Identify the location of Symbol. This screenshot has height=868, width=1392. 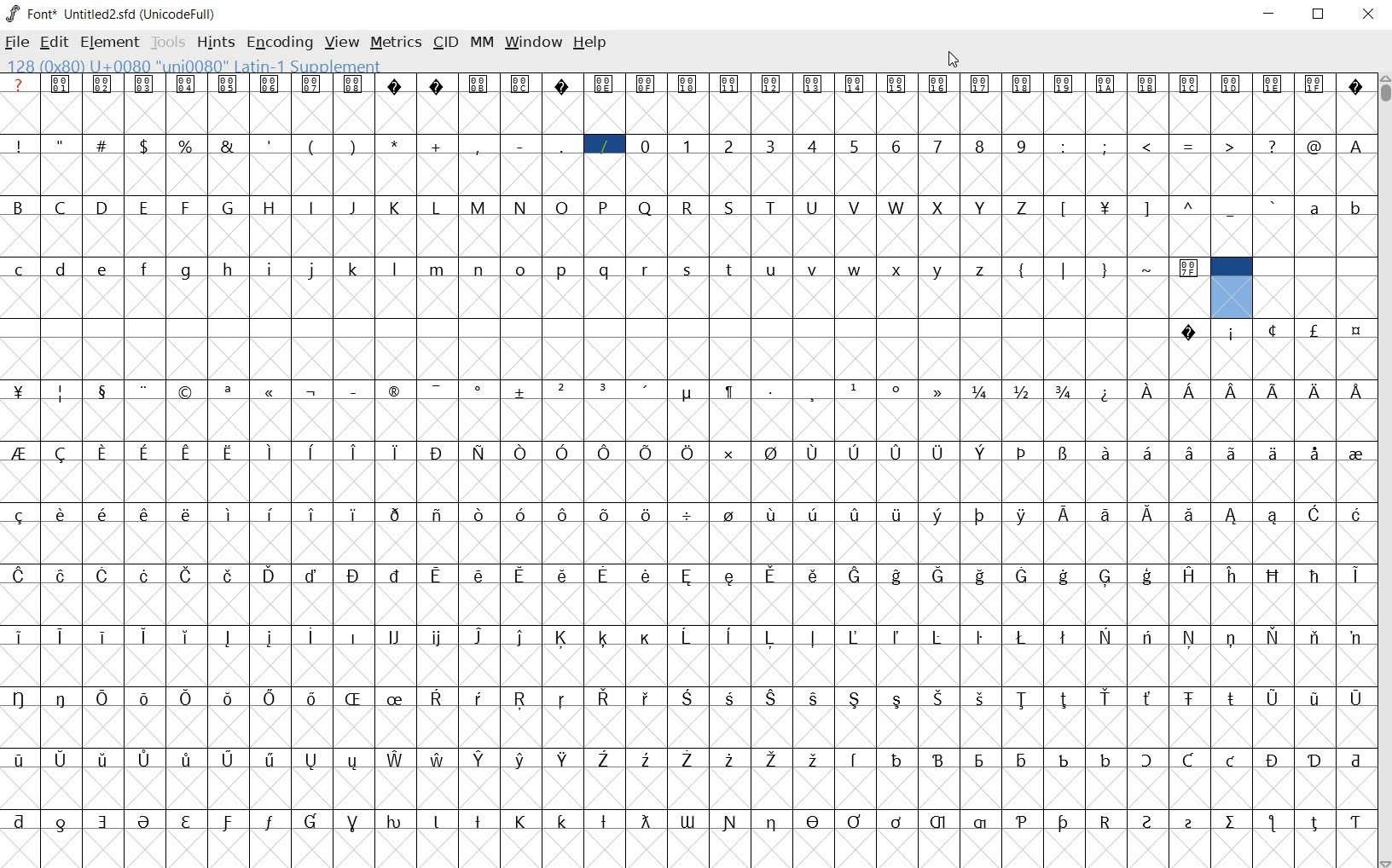
(937, 451).